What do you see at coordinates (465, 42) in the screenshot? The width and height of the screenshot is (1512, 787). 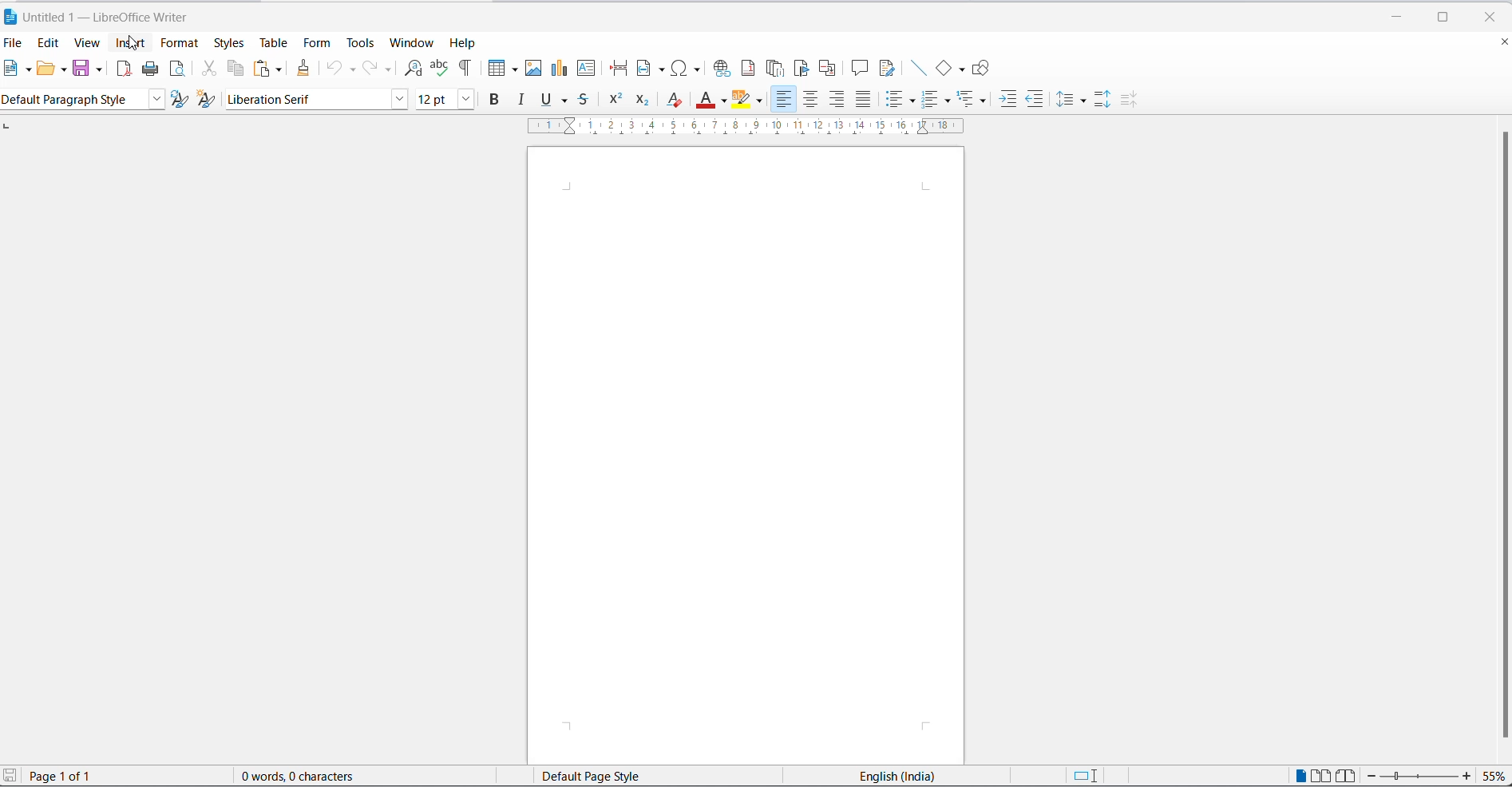 I see `help` at bounding box center [465, 42].